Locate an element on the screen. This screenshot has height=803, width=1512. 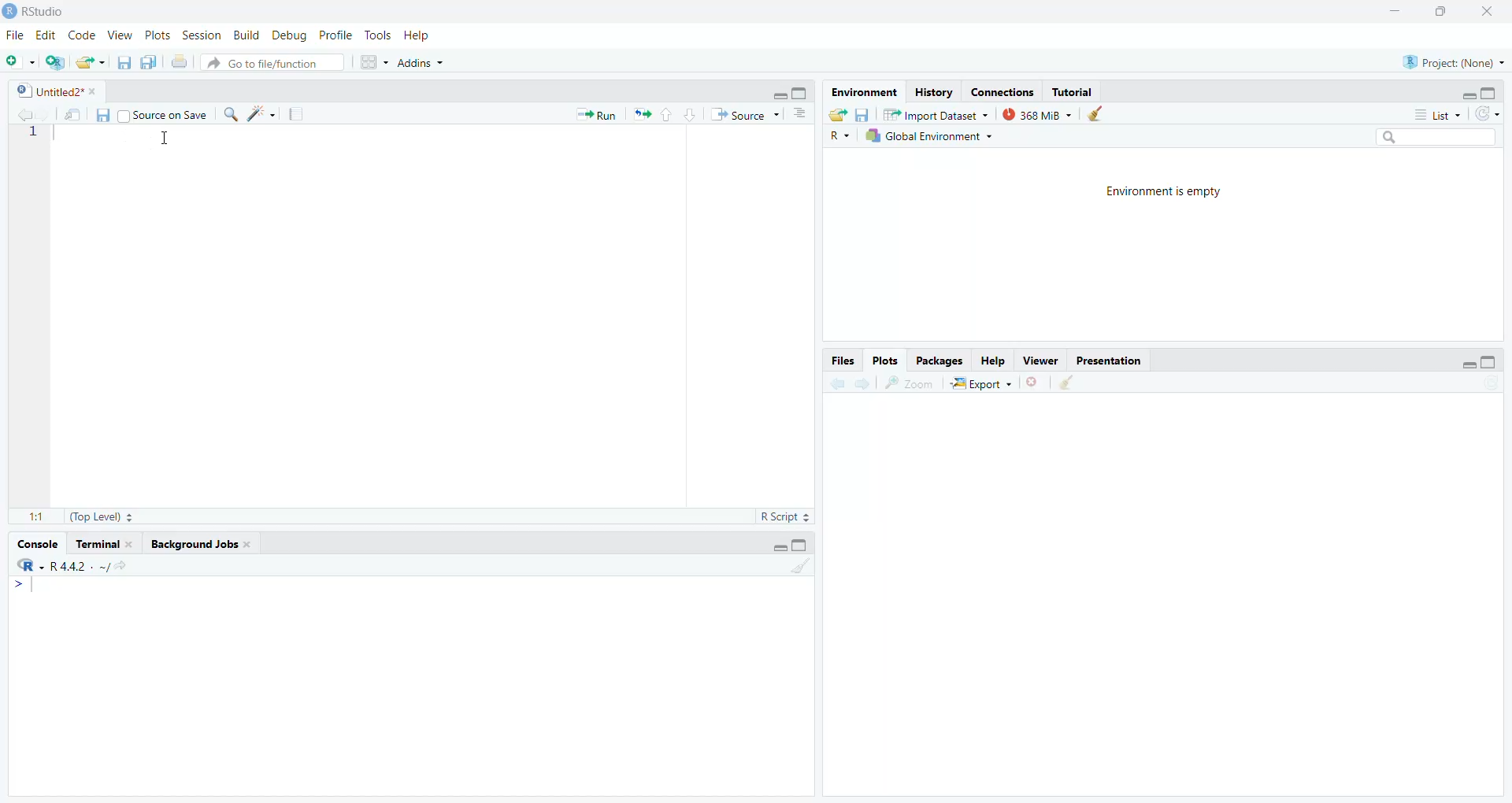
refresh is located at coordinates (1487, 114).